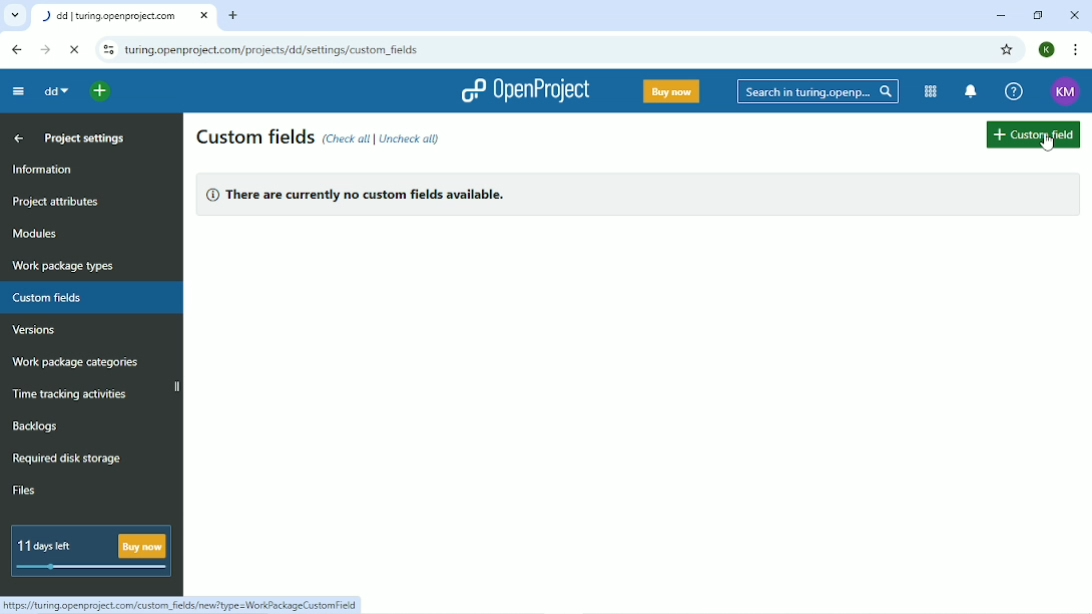 The width and height of the screenshot is (1092, 614). What do you see at coordinates (18, 91) in the screenshot?
I see `Collapse project menu` at bounding box center [18, 91].